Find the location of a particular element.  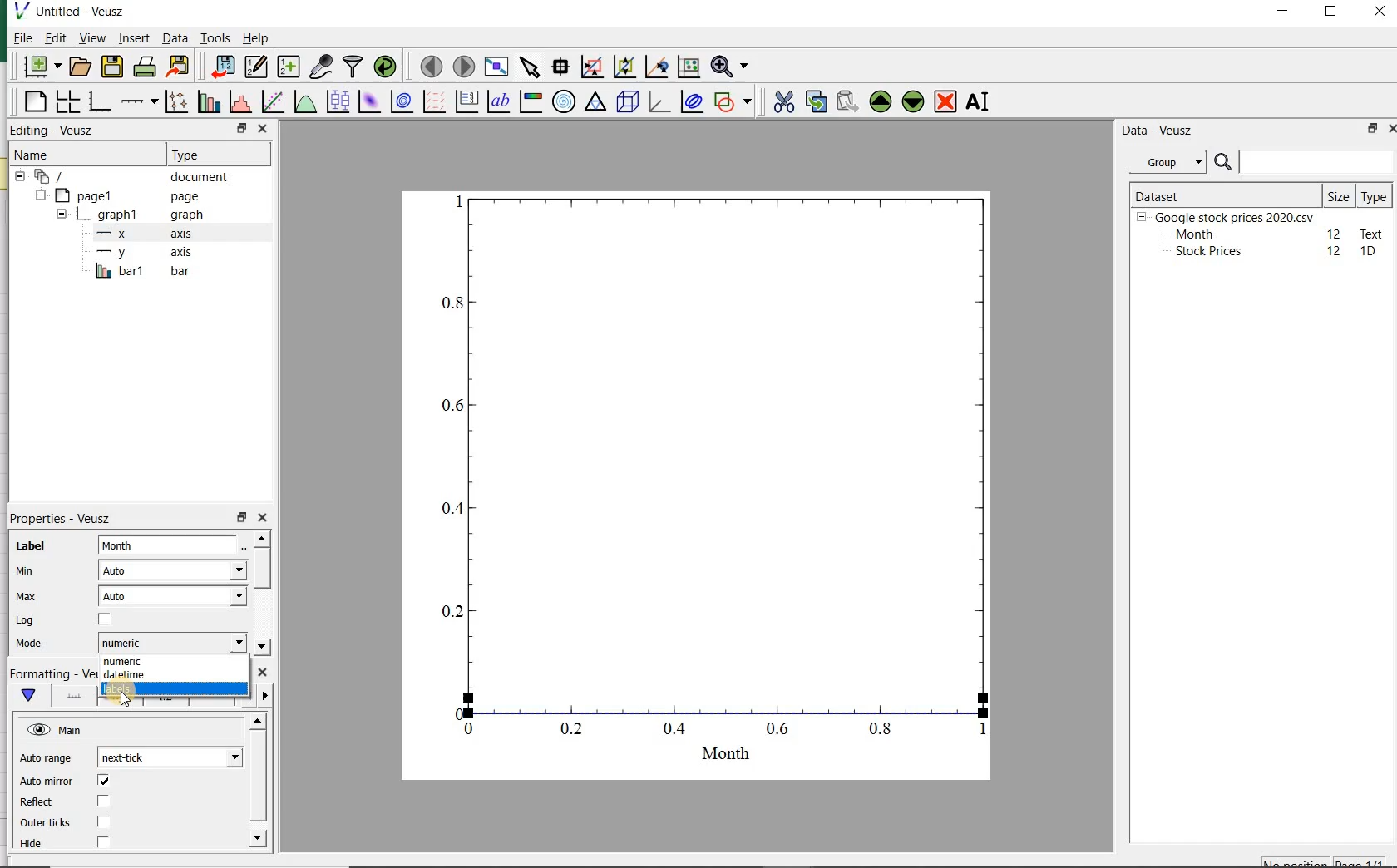

text label is located at coordinates (498, 103).